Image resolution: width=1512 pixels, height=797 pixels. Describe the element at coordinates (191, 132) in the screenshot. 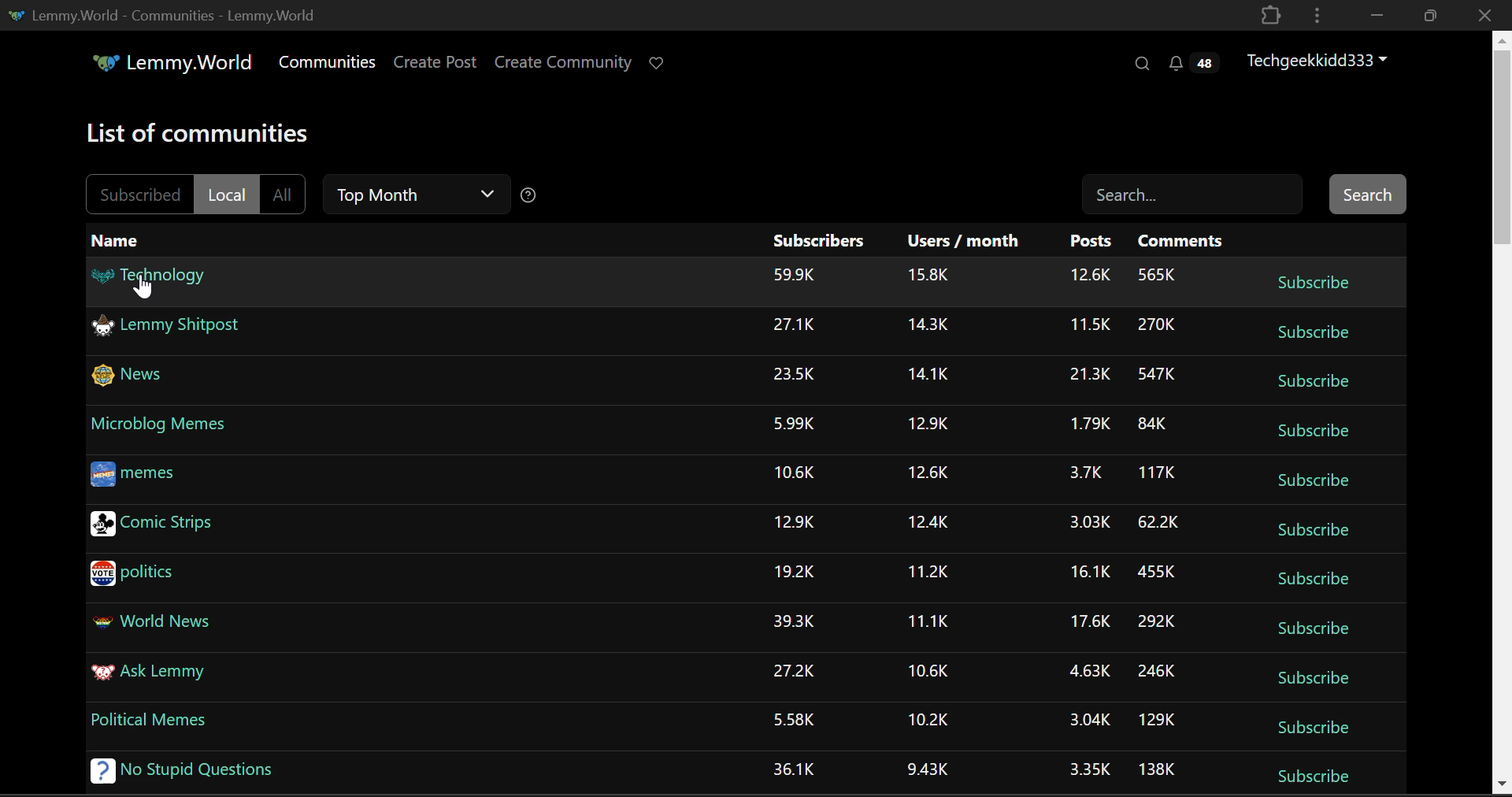

I see `List of communities` at that location.